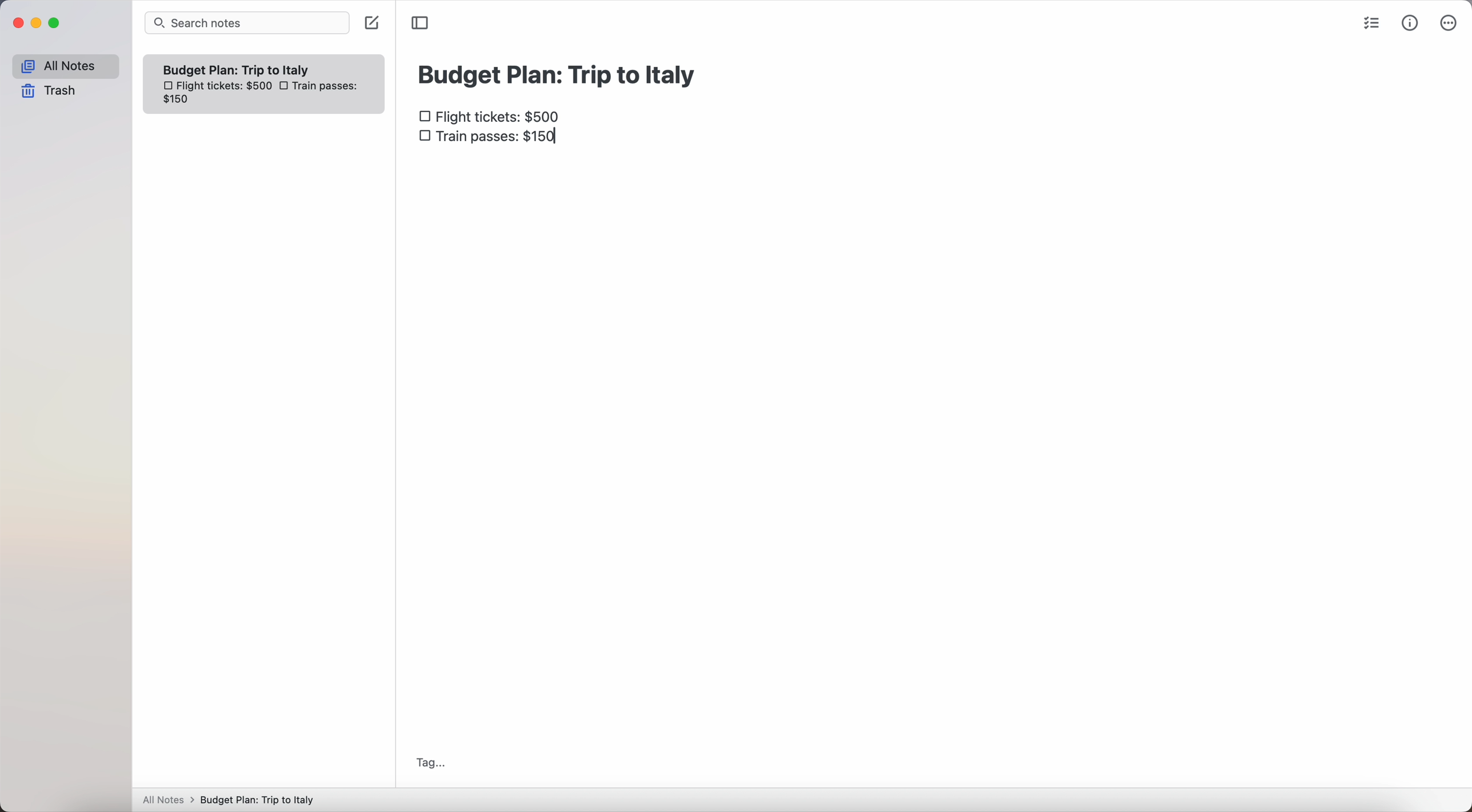  What do you see at coordinates (181, 99) in the screenshot?
I see `150` at bounding box center [181, 99].